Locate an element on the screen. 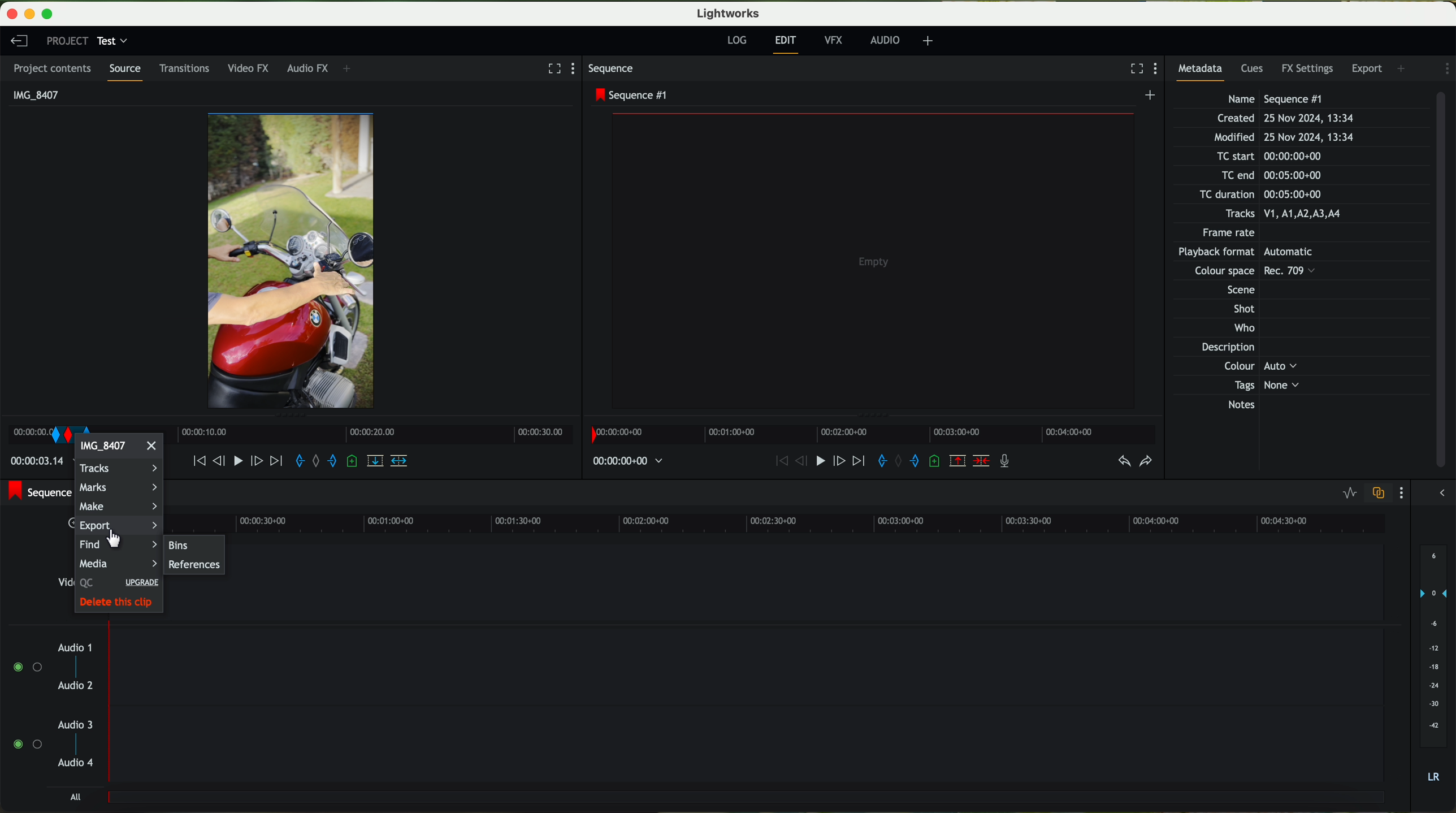 The height and width of the screenshot is (813, 1456). marks is located at coordinates (120, 486).